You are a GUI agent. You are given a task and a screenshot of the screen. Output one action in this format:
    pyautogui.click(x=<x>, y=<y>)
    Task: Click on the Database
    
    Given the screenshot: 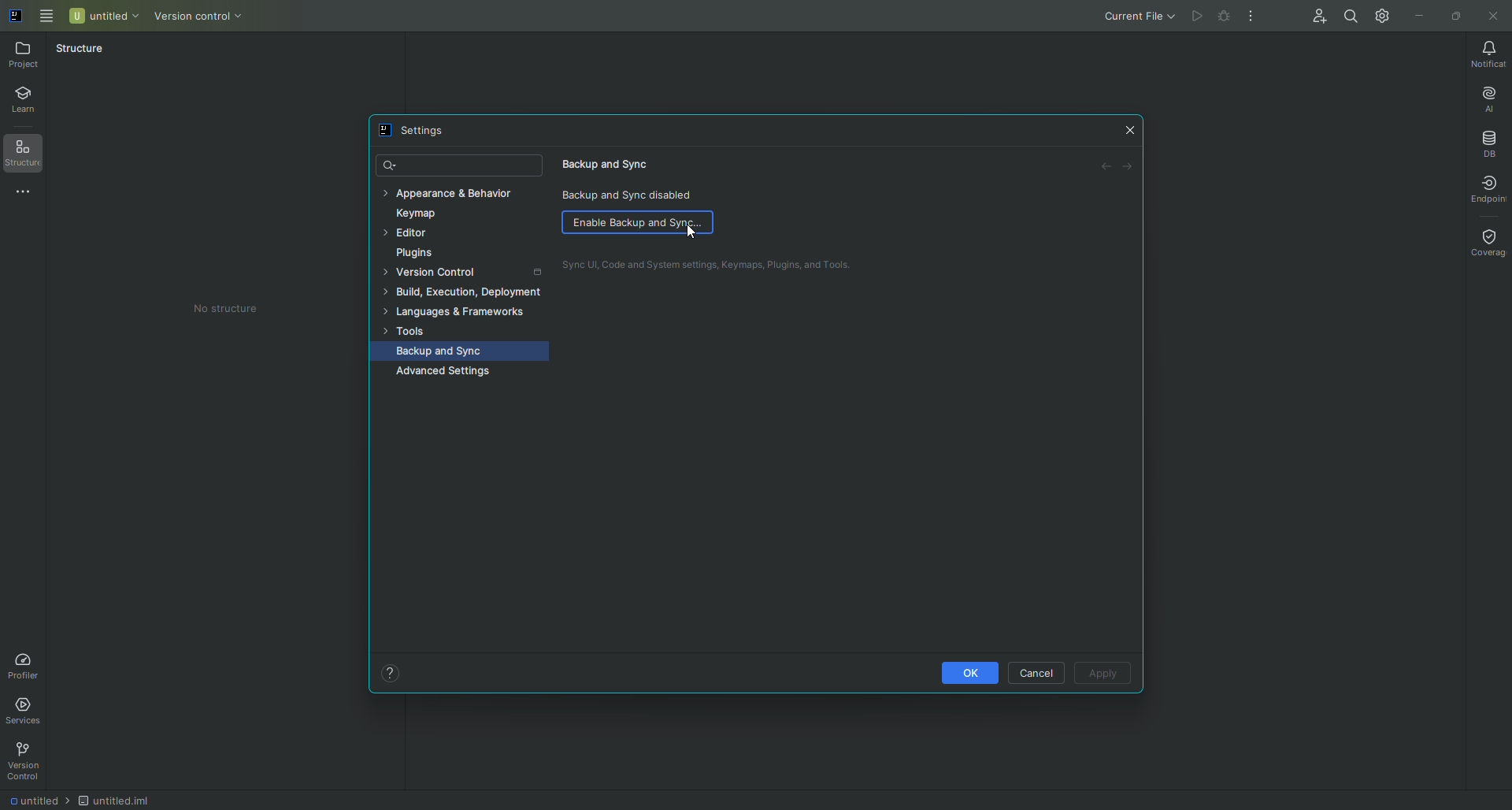 What is the action you would take?
    pyautogui.click(x=1488, y=142)
    